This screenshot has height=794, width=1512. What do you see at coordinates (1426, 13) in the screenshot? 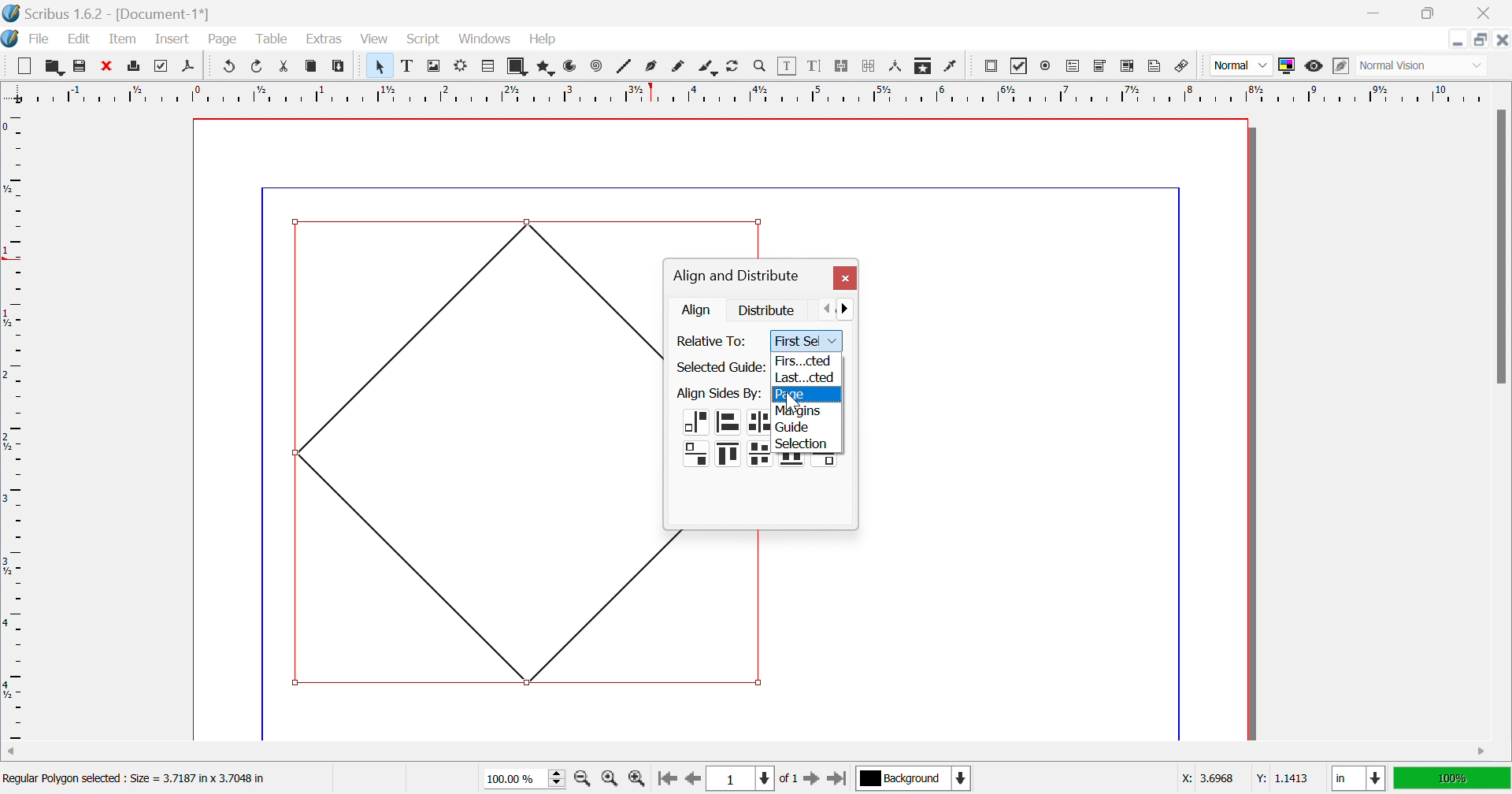
I see `Restore down` at bounding box center [1426, 13].